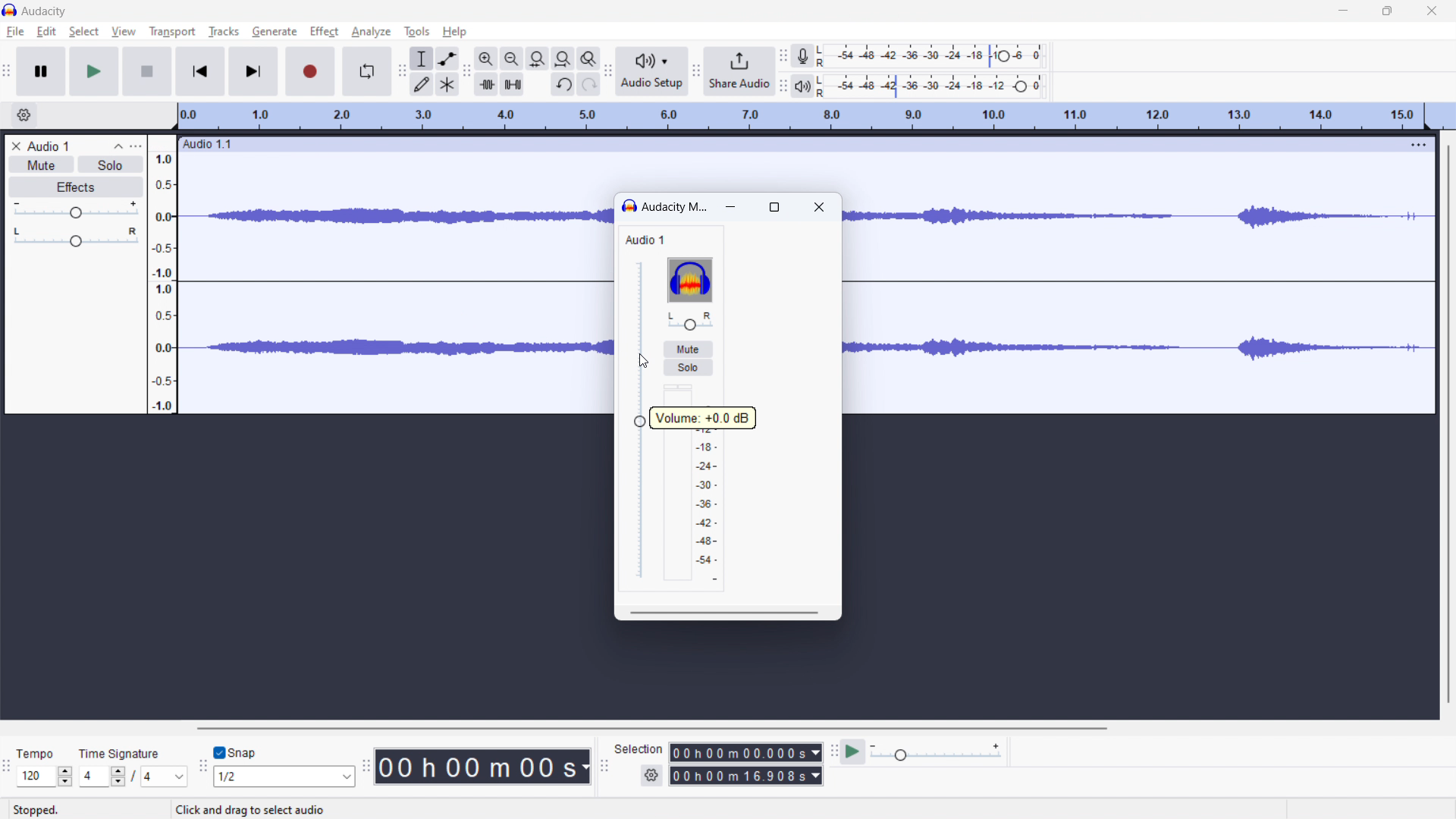  What do you see at coordinates (937, 86) in the screenshot?
I see `playback level` at bounding box center [937, 86].